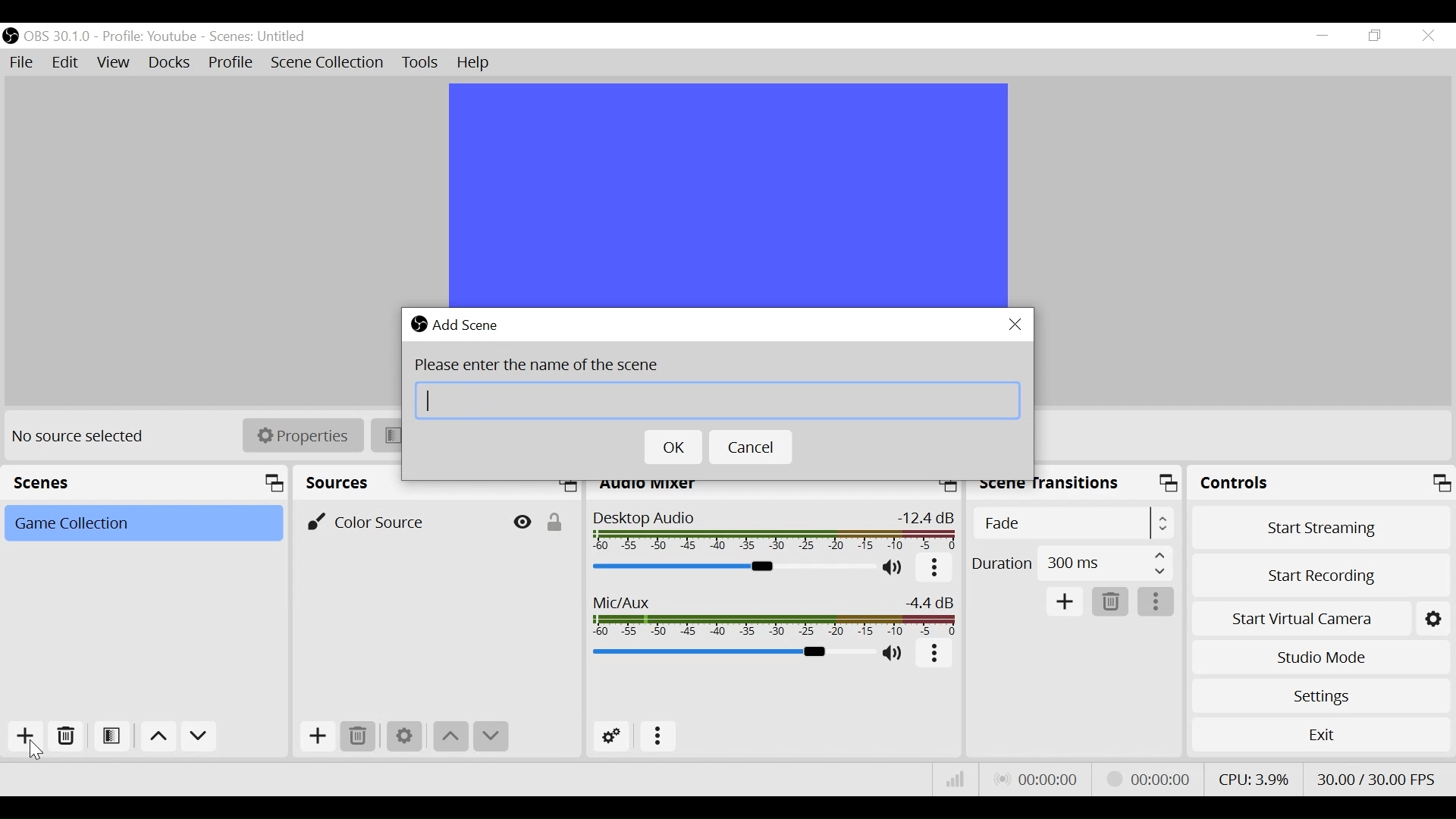 This screenshot has width=1456, height=819. What do you see at coordinates (1158, 602) in the screenshot?
I see `more options` at bounding box center [1158, 602].